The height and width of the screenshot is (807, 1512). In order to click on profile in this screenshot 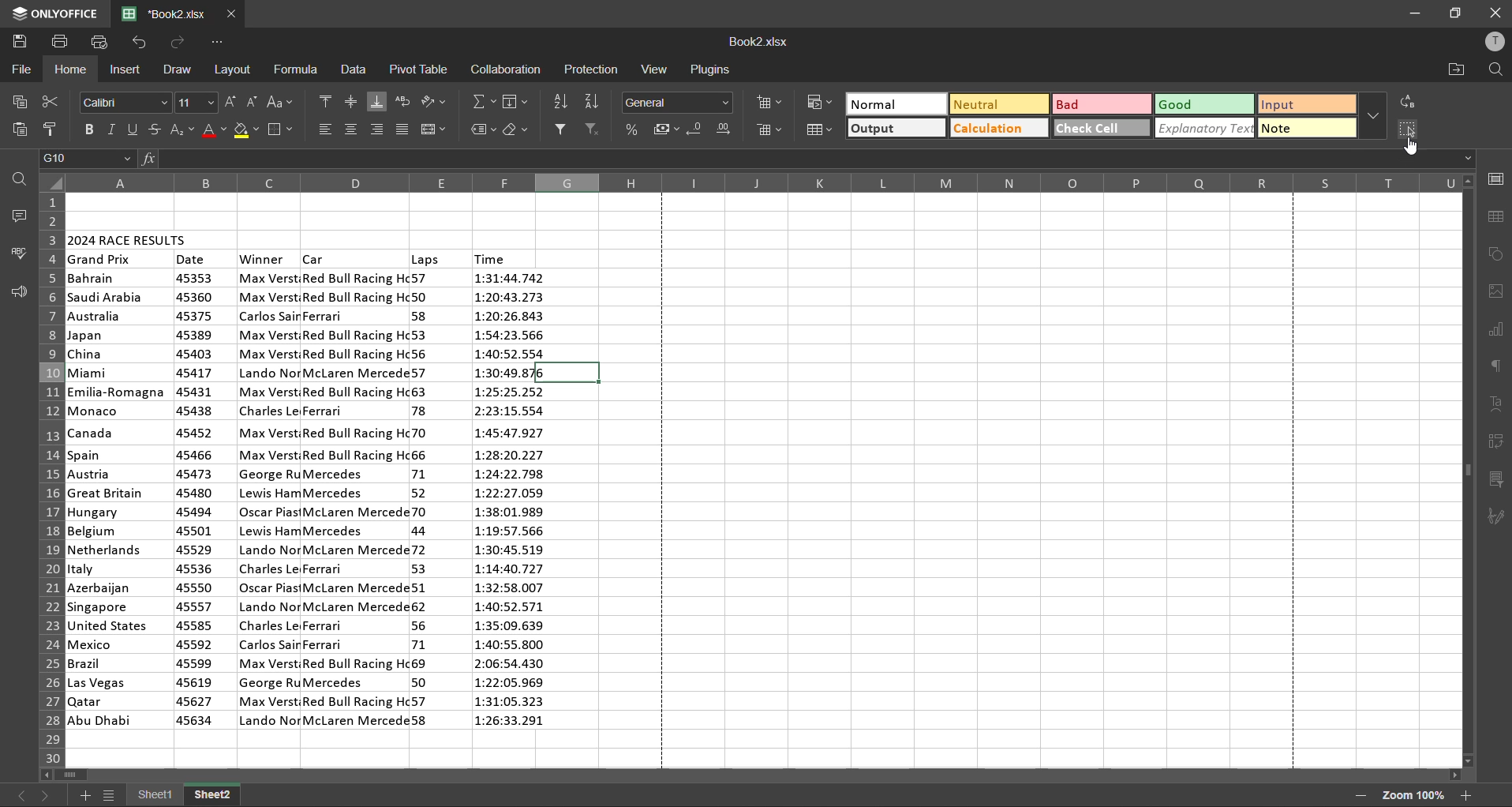, I will do `click(1489, 41)`.